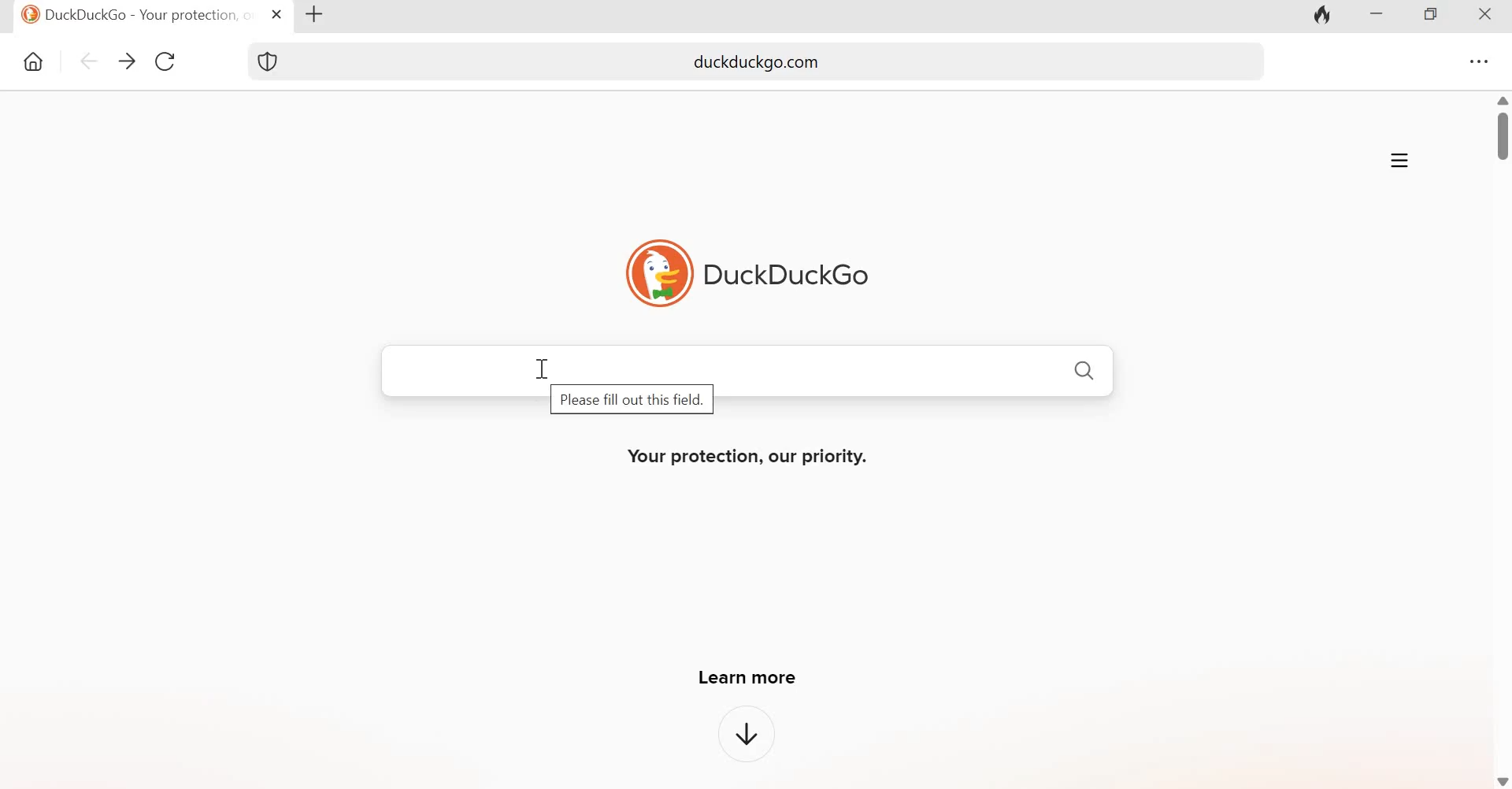 This screenshot has height=789, width=1512. Describe the element at coordinates (541, 364) in the screenshot. I see `cursor` at that location.